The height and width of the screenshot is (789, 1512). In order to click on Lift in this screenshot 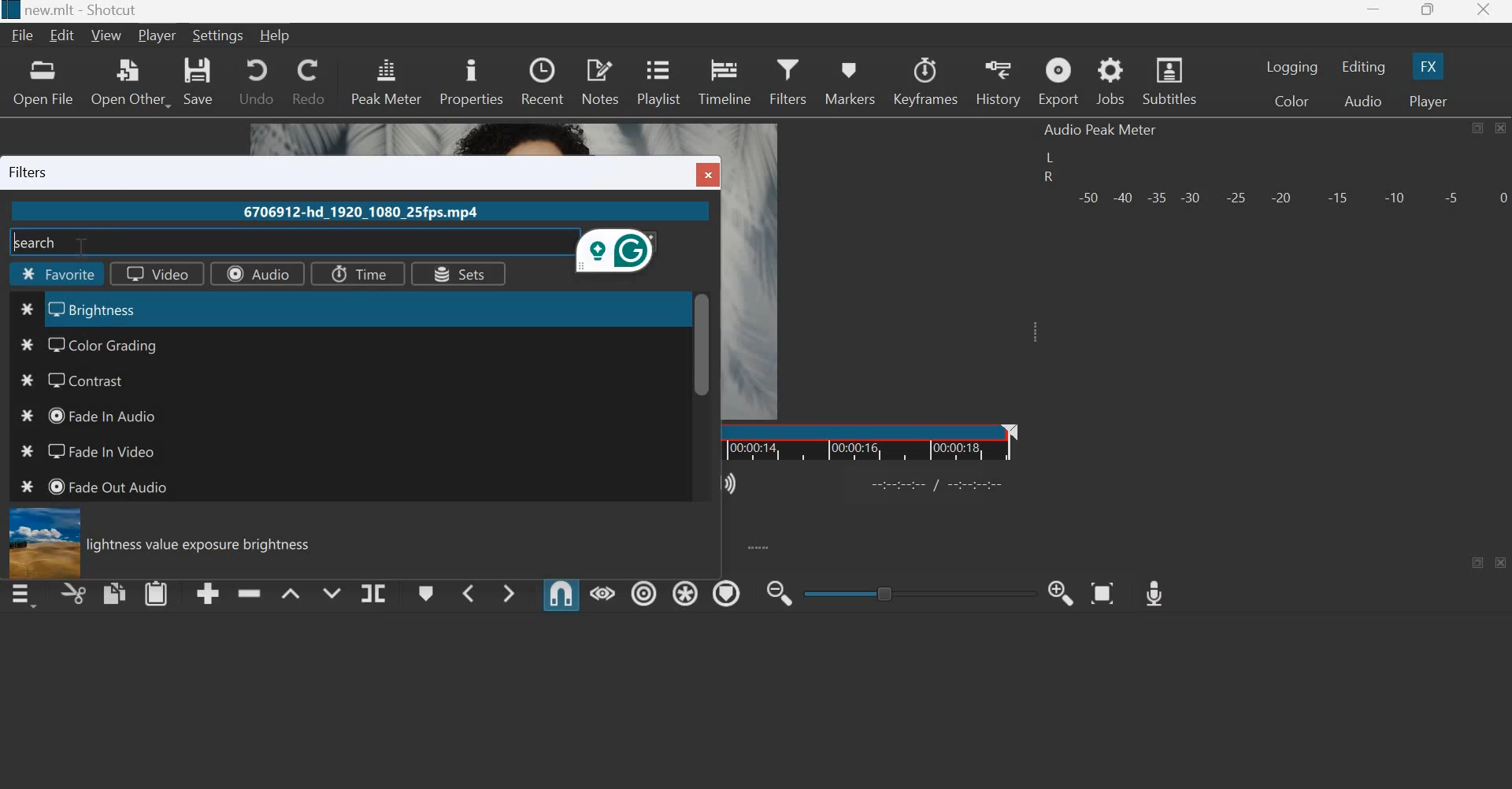, I will do `click(291, 593)`.